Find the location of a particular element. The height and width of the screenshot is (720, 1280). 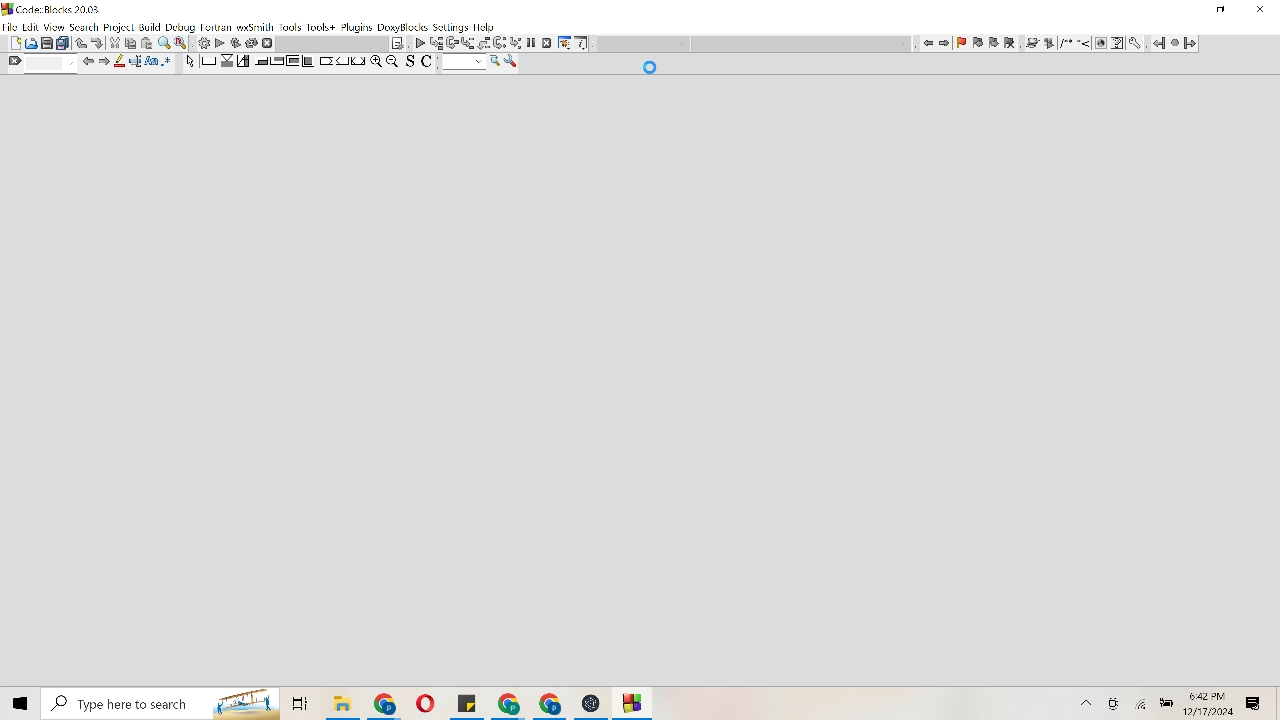

Debug is located at coordinates (180, 27).